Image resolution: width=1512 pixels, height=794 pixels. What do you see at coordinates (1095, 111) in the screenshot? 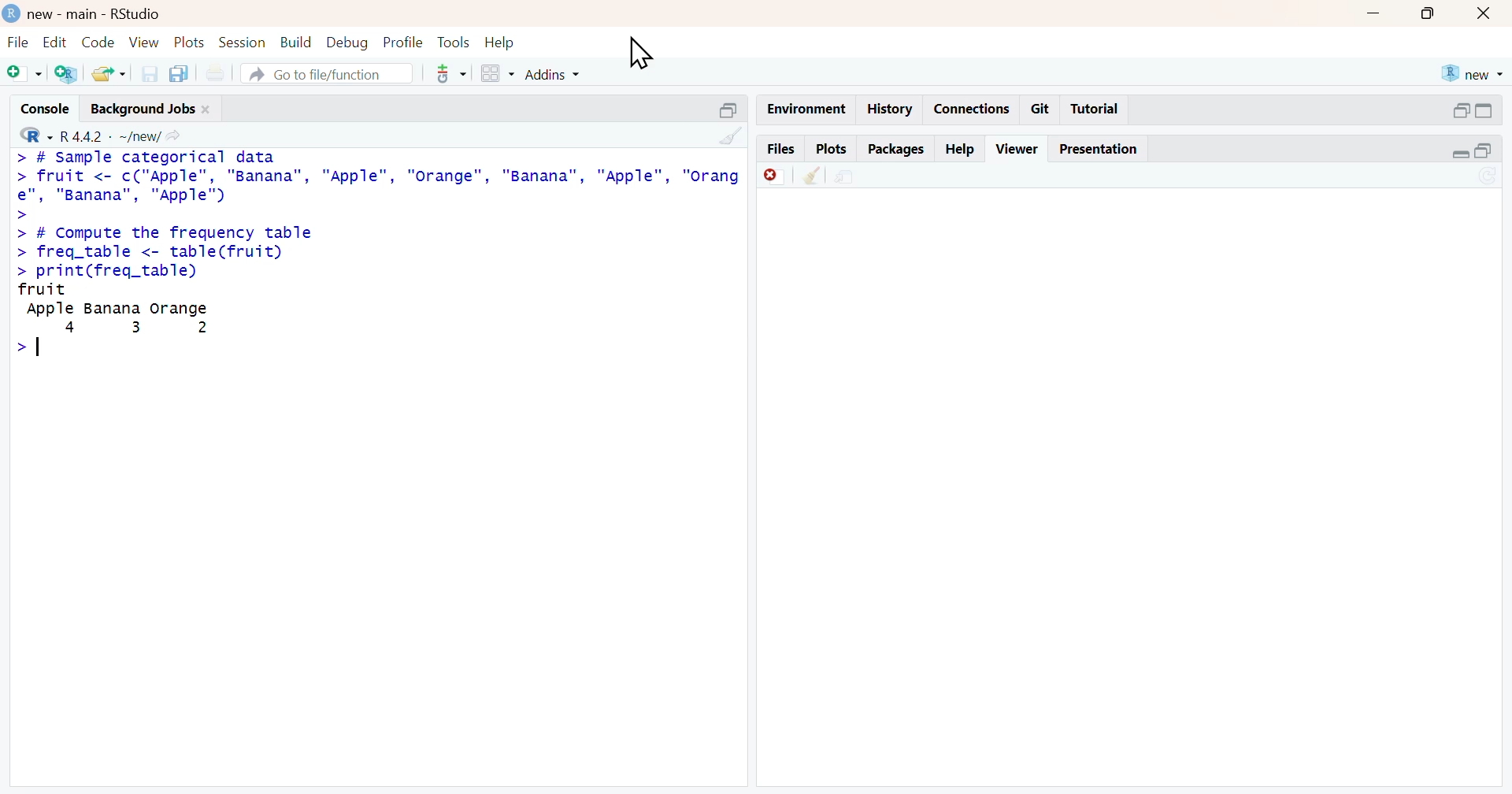
I see `tutorial` at bounding box center [1095, 111].